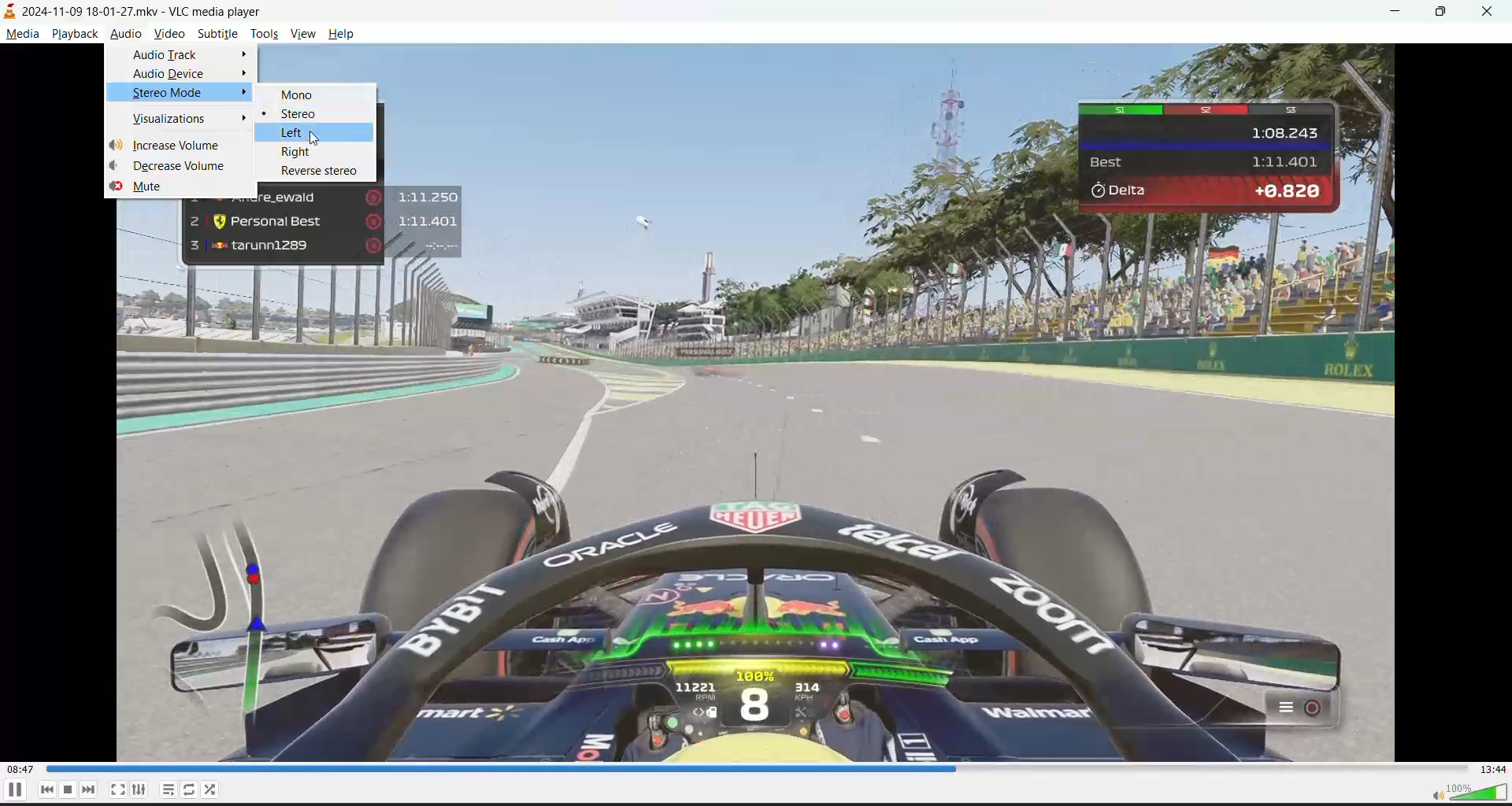 The width and height of the screenshot is (1512, 806). Describe the element at coordinates (191, 788) in the screenshot. I see `loop` at that location.